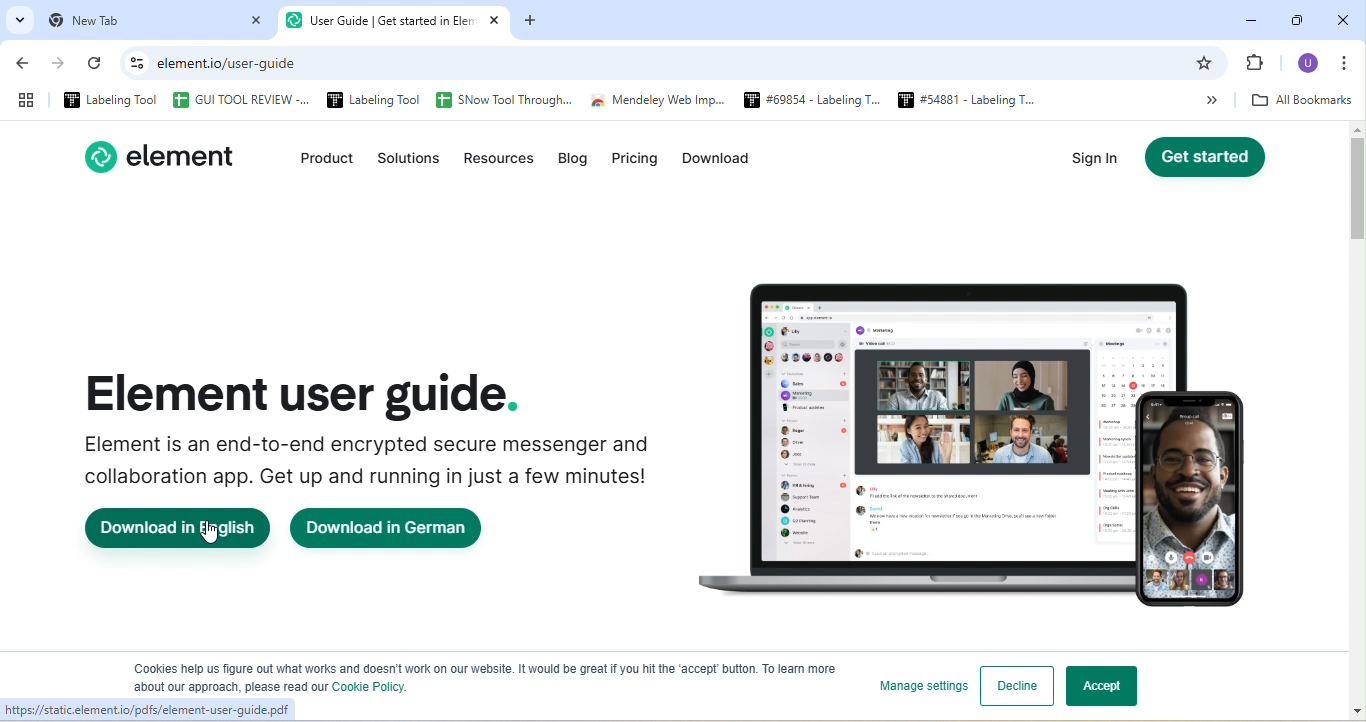 The image size is (1366, 722). I want to click on bookmark, so click(1208, 63).